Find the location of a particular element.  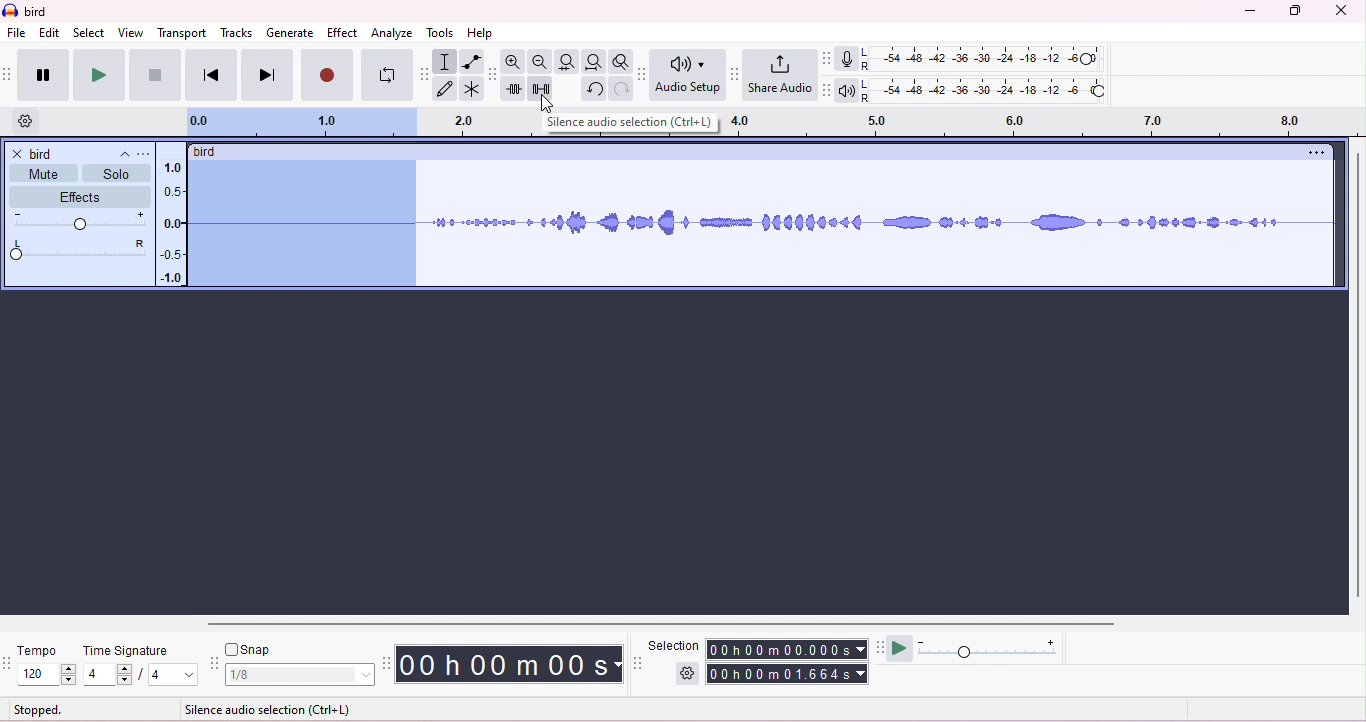

help is located at coordinates (481, 33).